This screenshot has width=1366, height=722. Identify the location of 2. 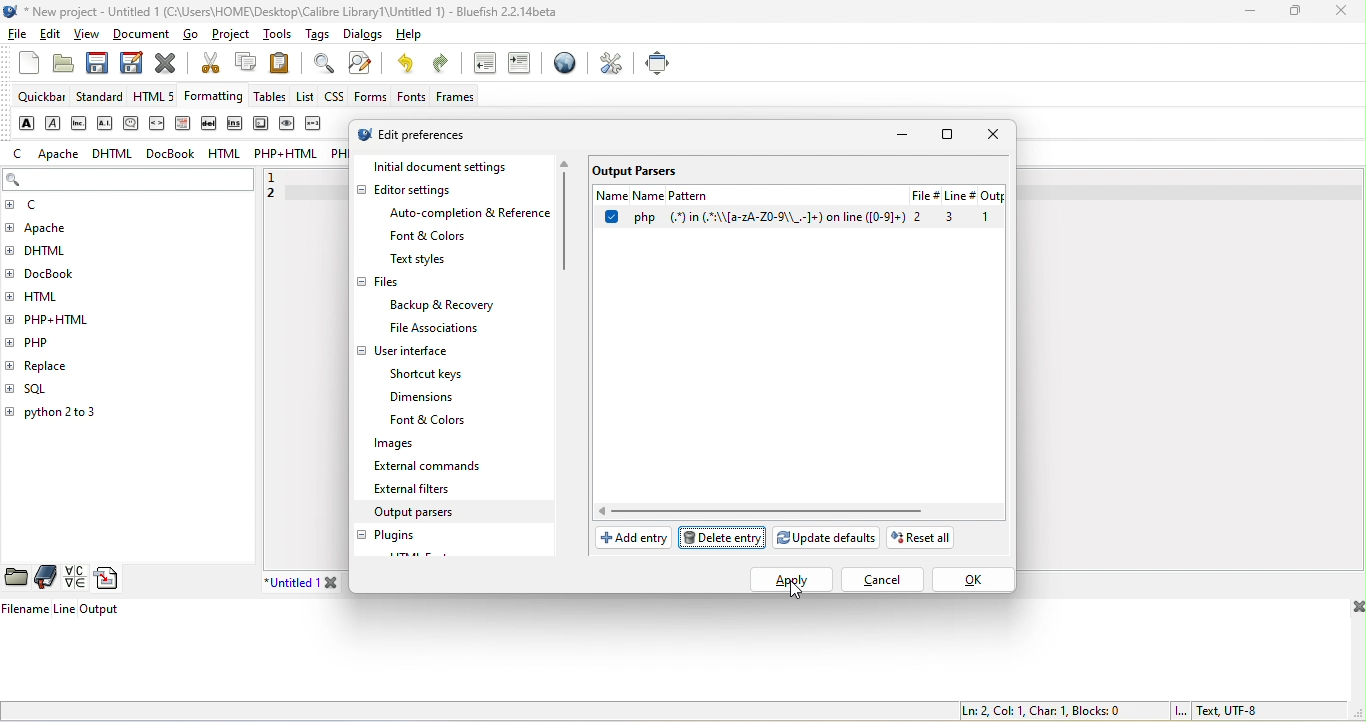
(277, 196).